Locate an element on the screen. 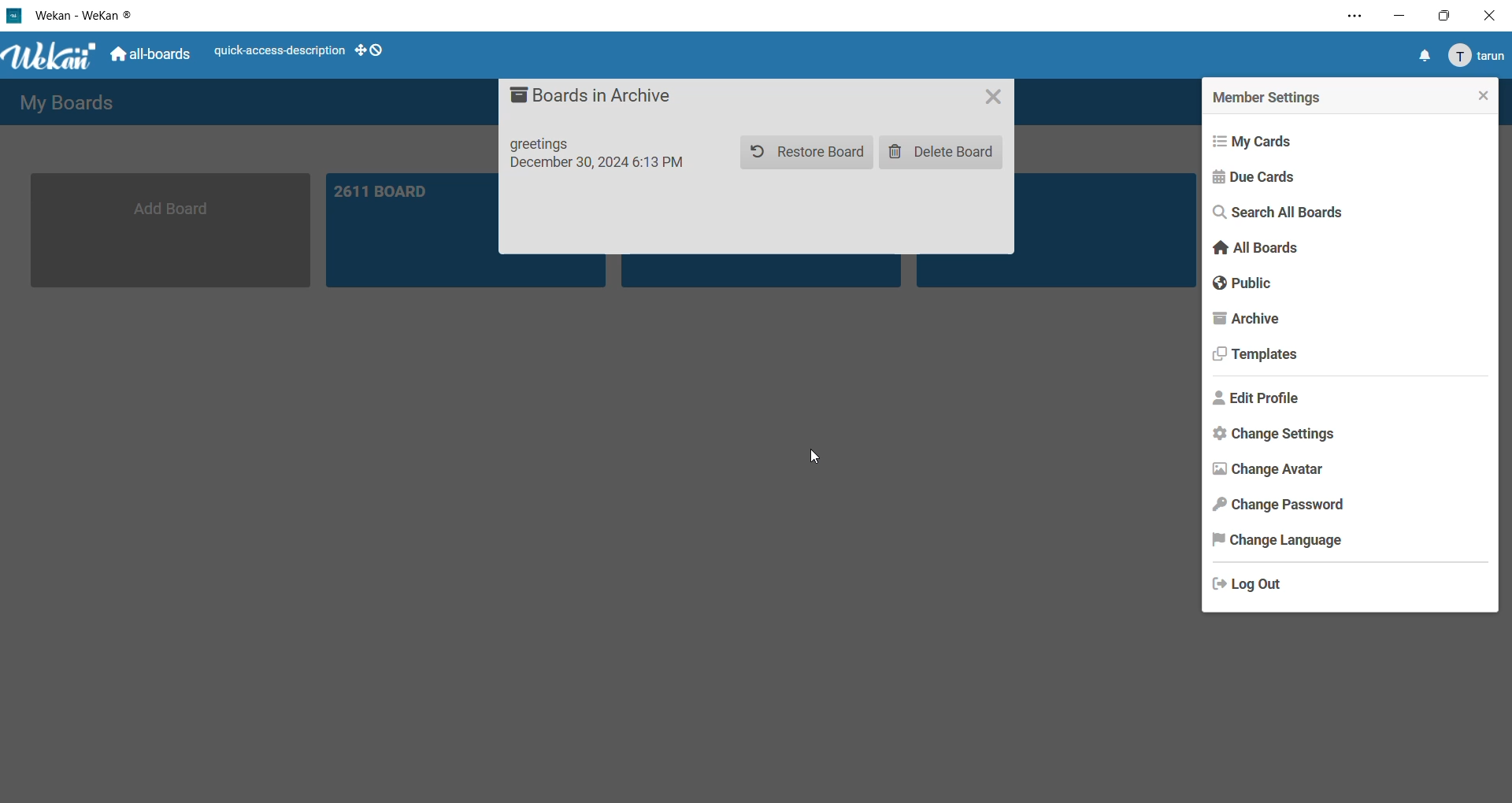 This screenshot has height=803, width=1512. minimize is located at coordinates (1395, 16).